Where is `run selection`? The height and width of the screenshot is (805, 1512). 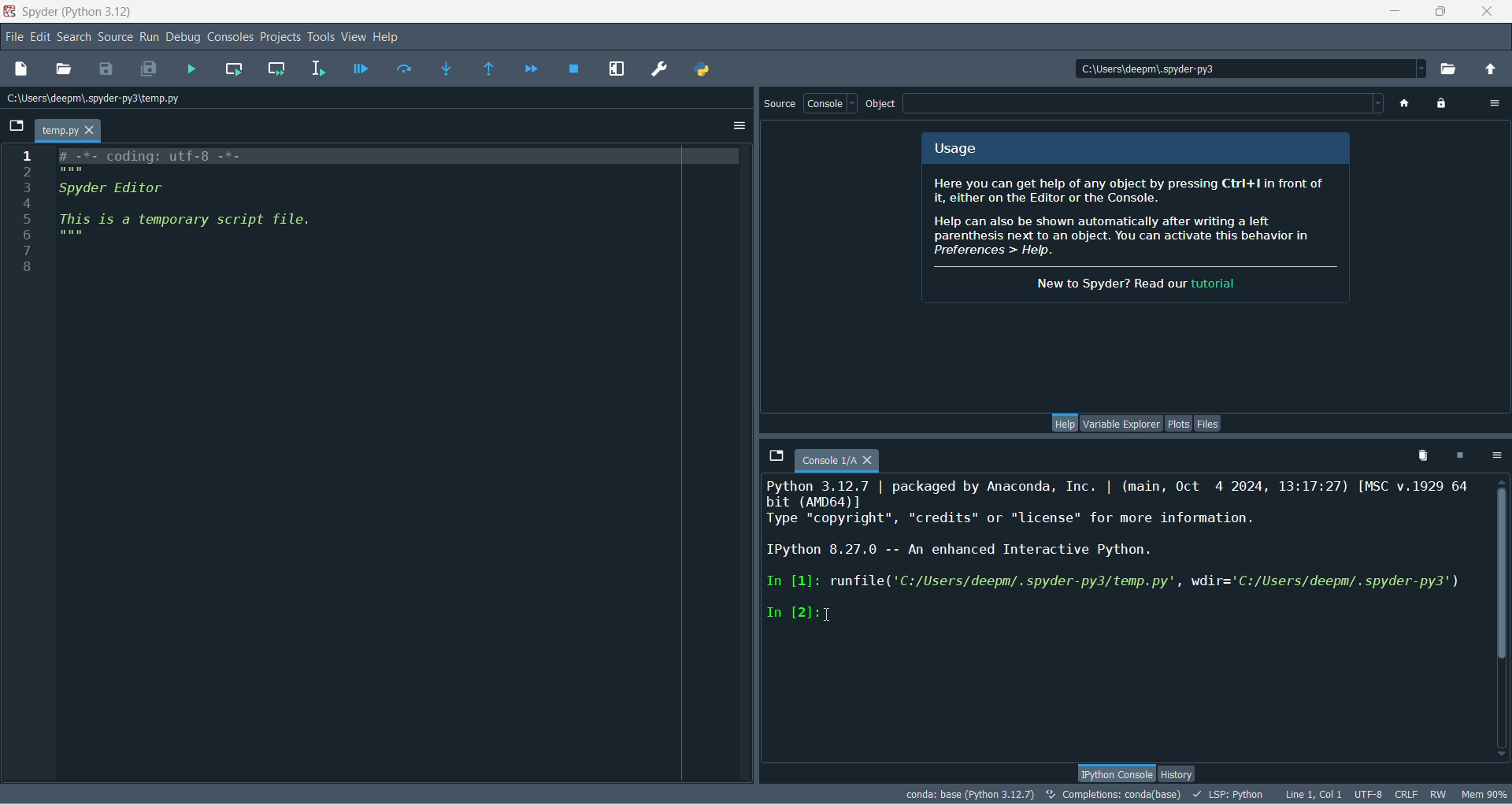
run selection is located at coordinates (318, 69).